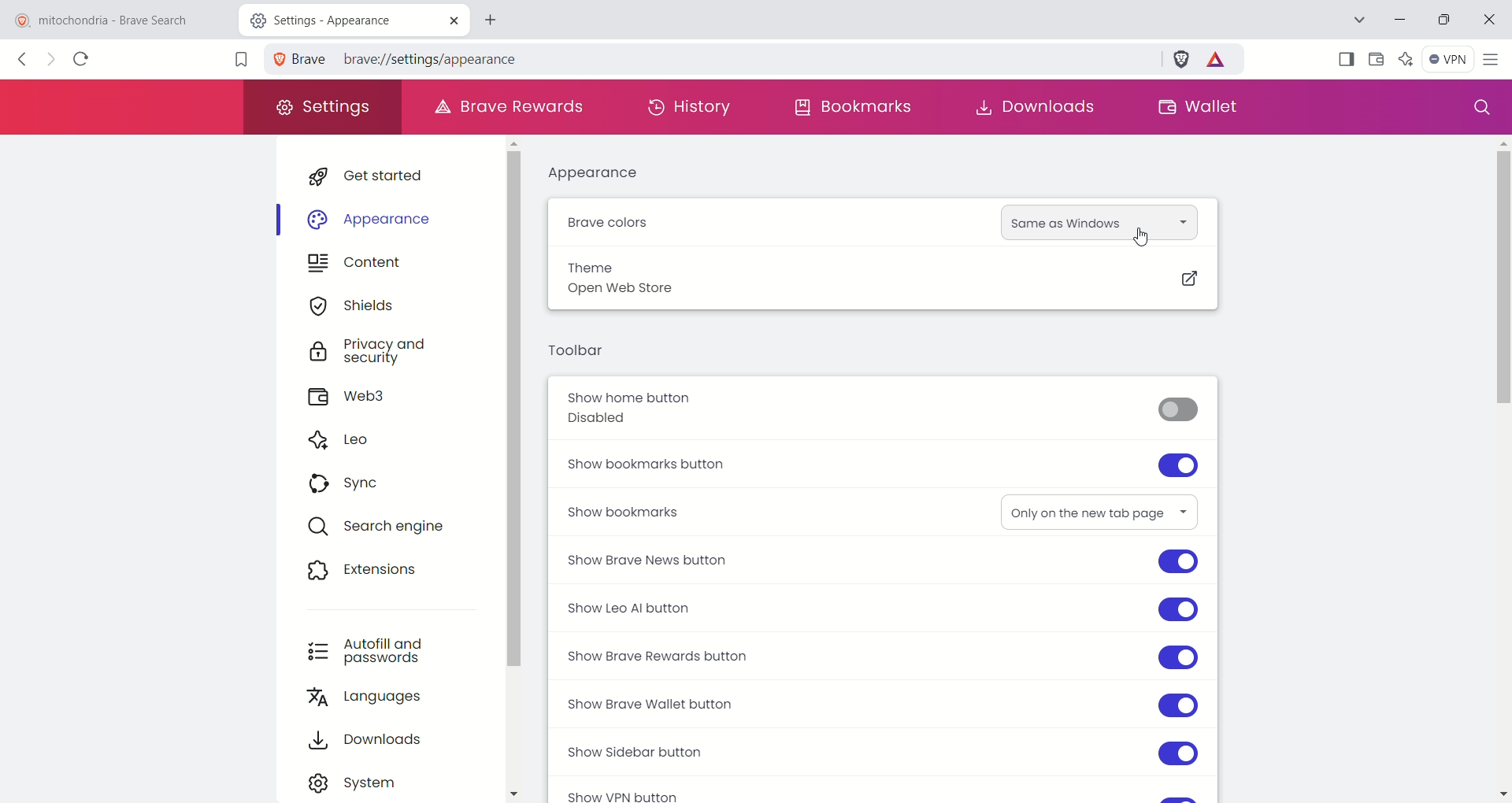 The image size is (1512, 803). Describe the element at coordinates (358, 305) in the screenshot. I see `shields` at that location.